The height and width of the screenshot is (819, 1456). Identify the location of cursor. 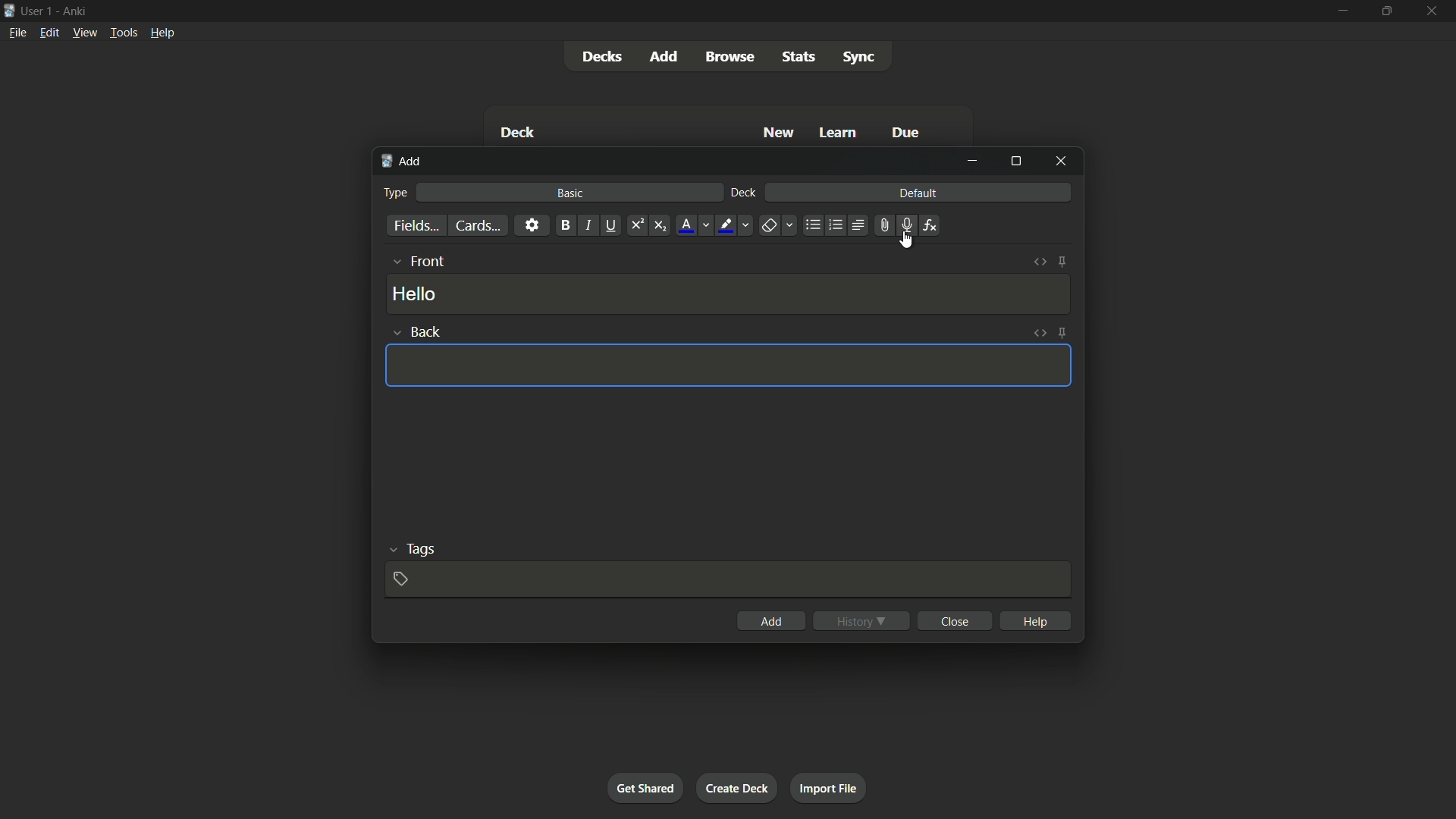
(908, 240).